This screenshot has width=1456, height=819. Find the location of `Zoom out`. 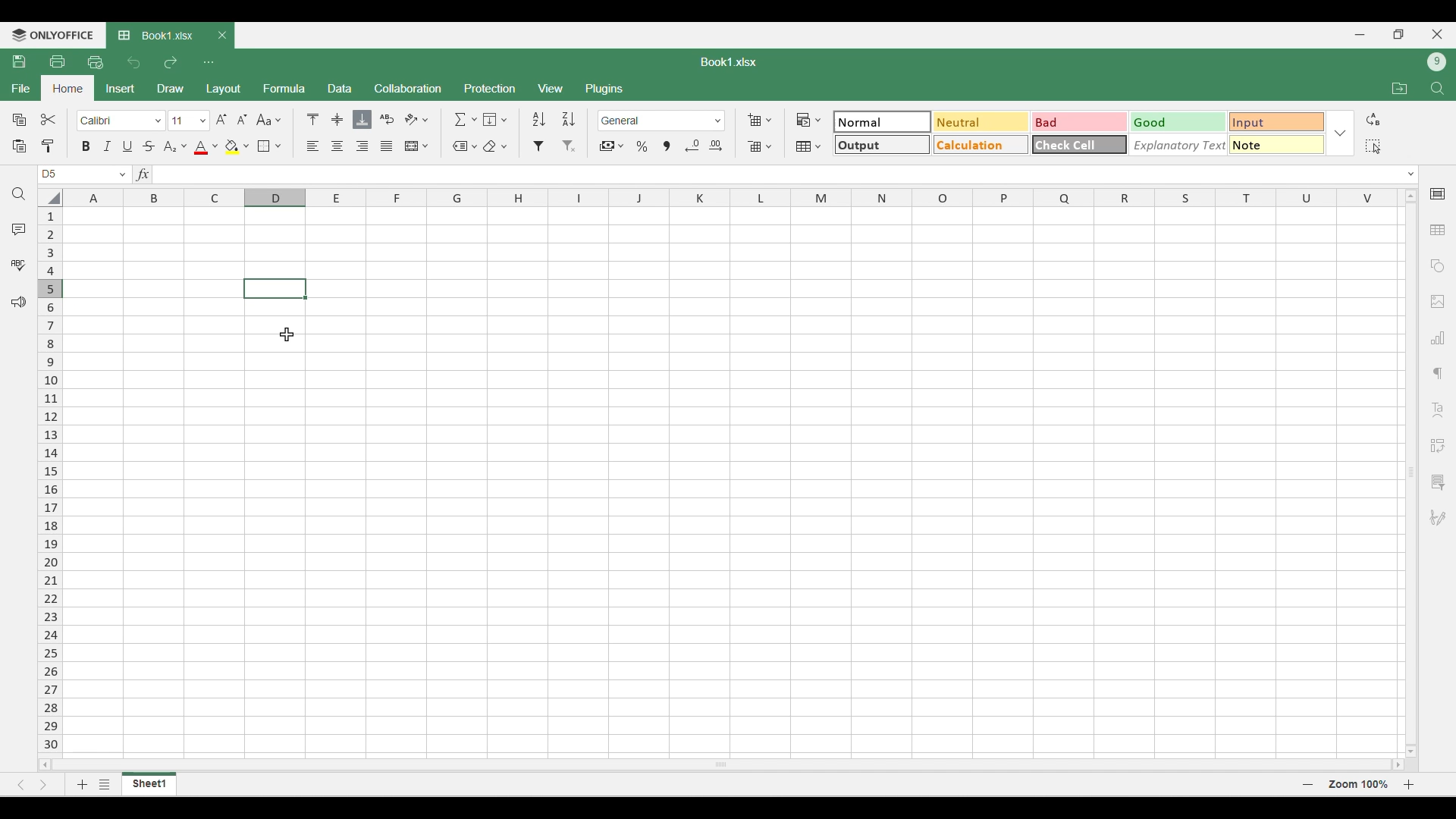

Zoom out is located at coordinates (1308, 784).